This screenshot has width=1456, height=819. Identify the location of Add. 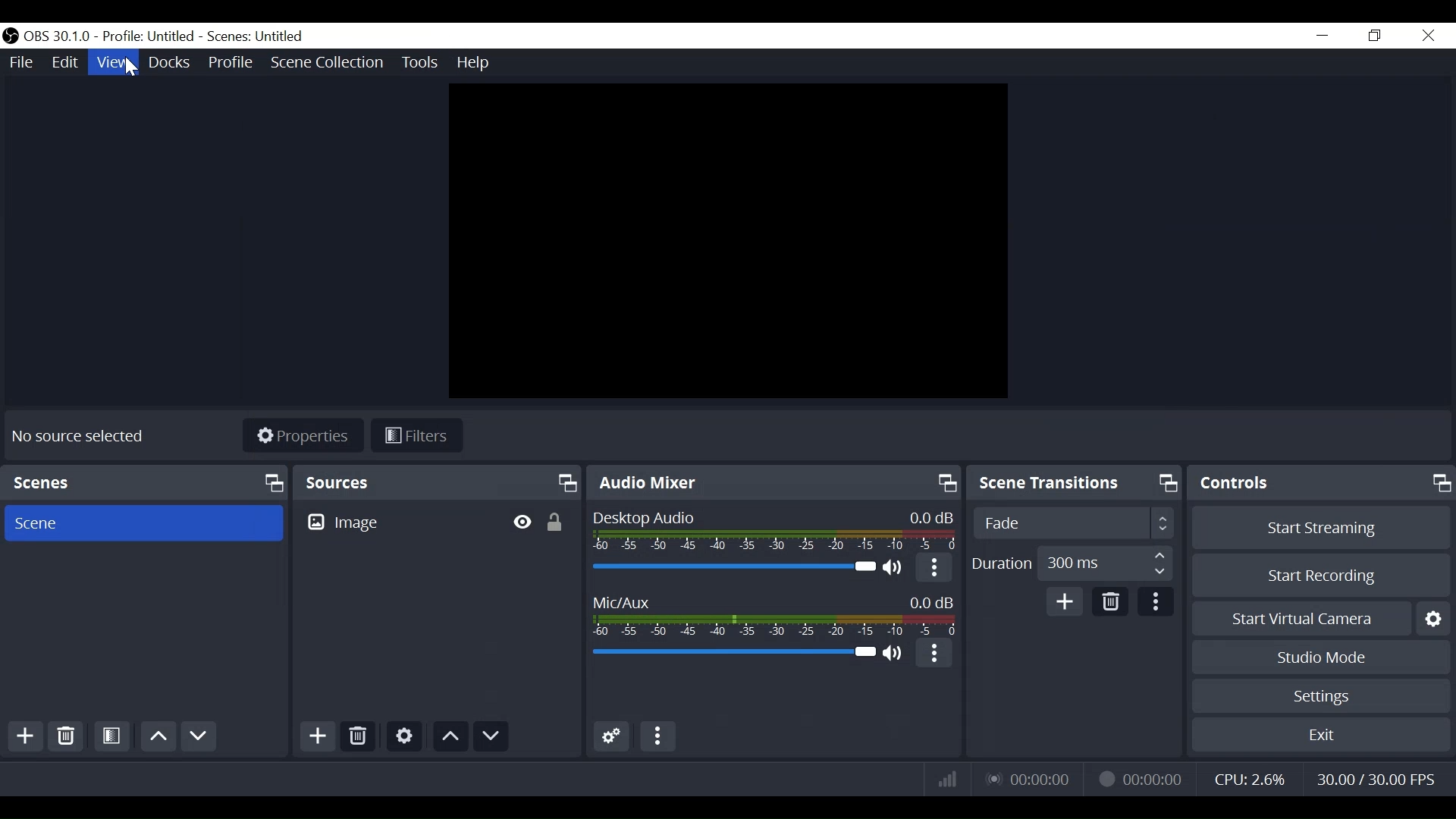
(28, 739).